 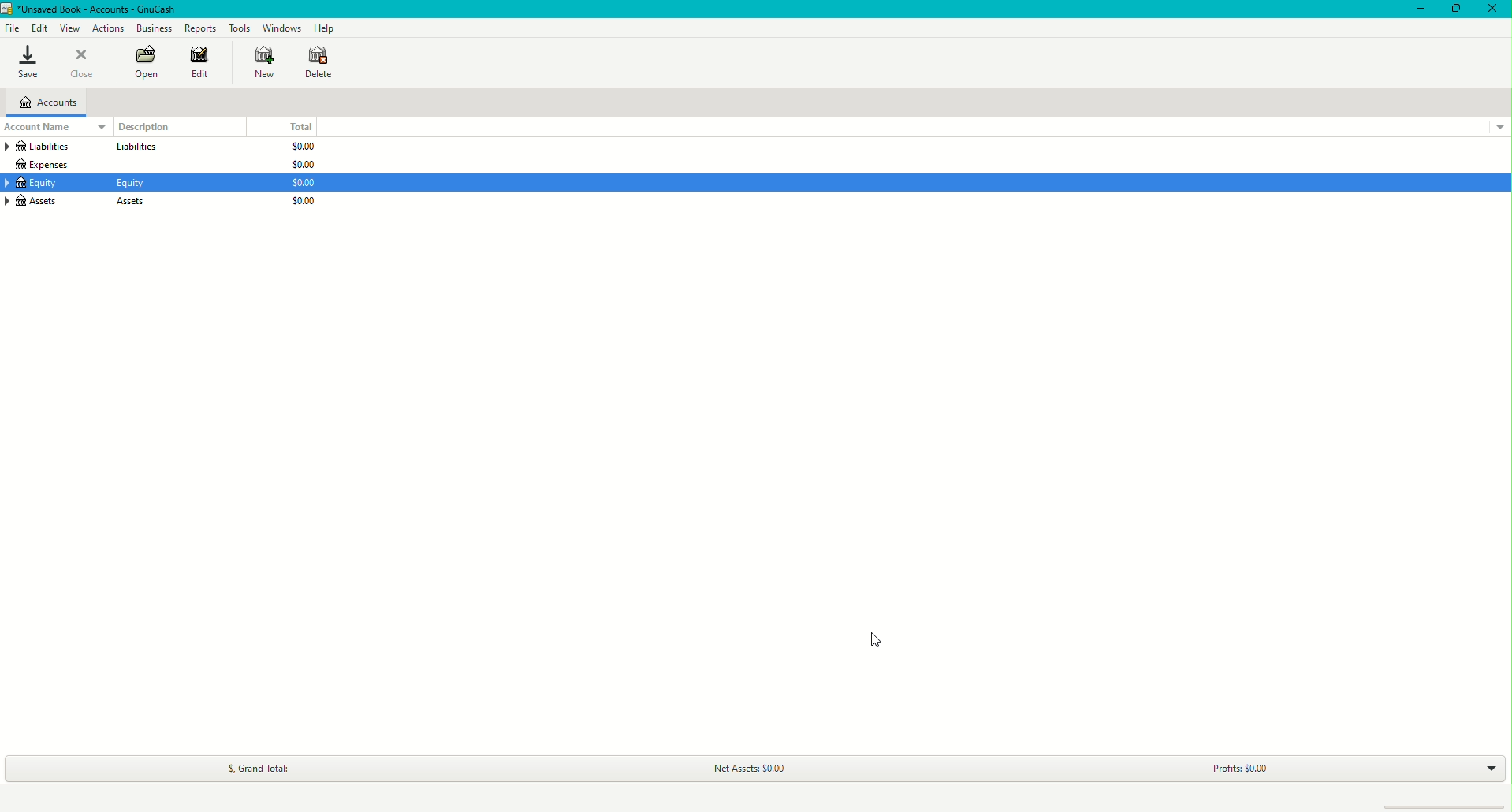 What do you see at coordinates (69, 27) in the screenshot?
I see `View` at bounding box center [69, 27].